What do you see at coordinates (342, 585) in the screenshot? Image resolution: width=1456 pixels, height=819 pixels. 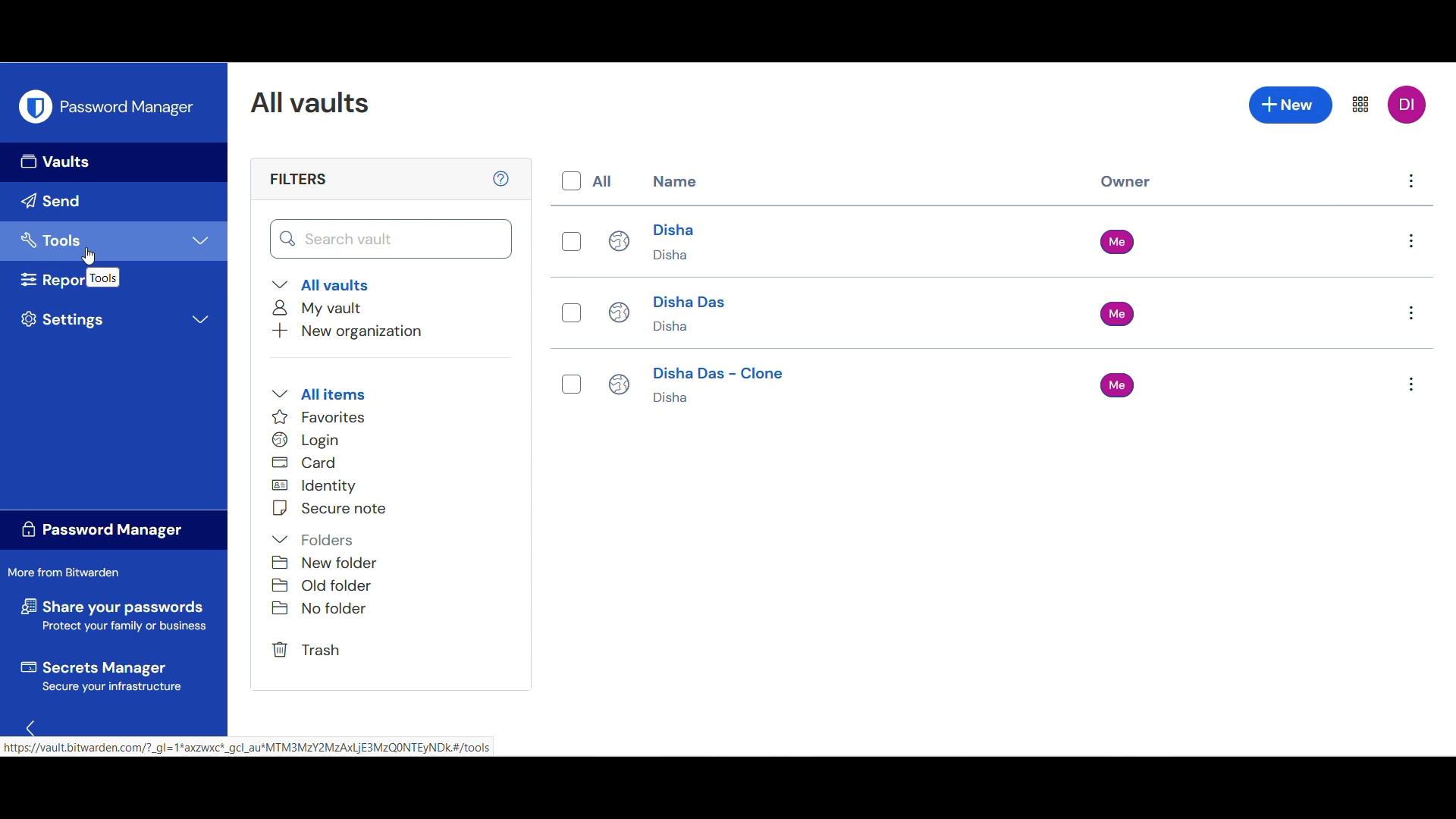 I see `Old folder` at bounding box center [342, 585].